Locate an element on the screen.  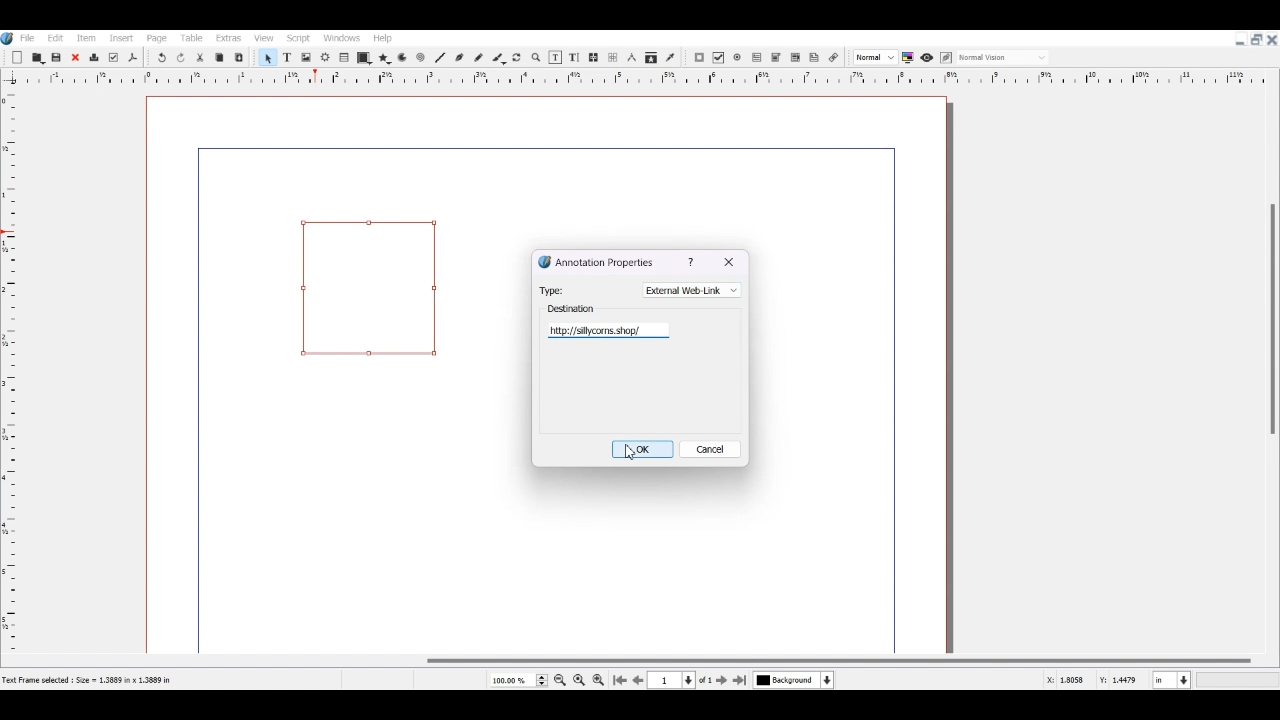
Vertical scale is located at coordinates (628, 79).